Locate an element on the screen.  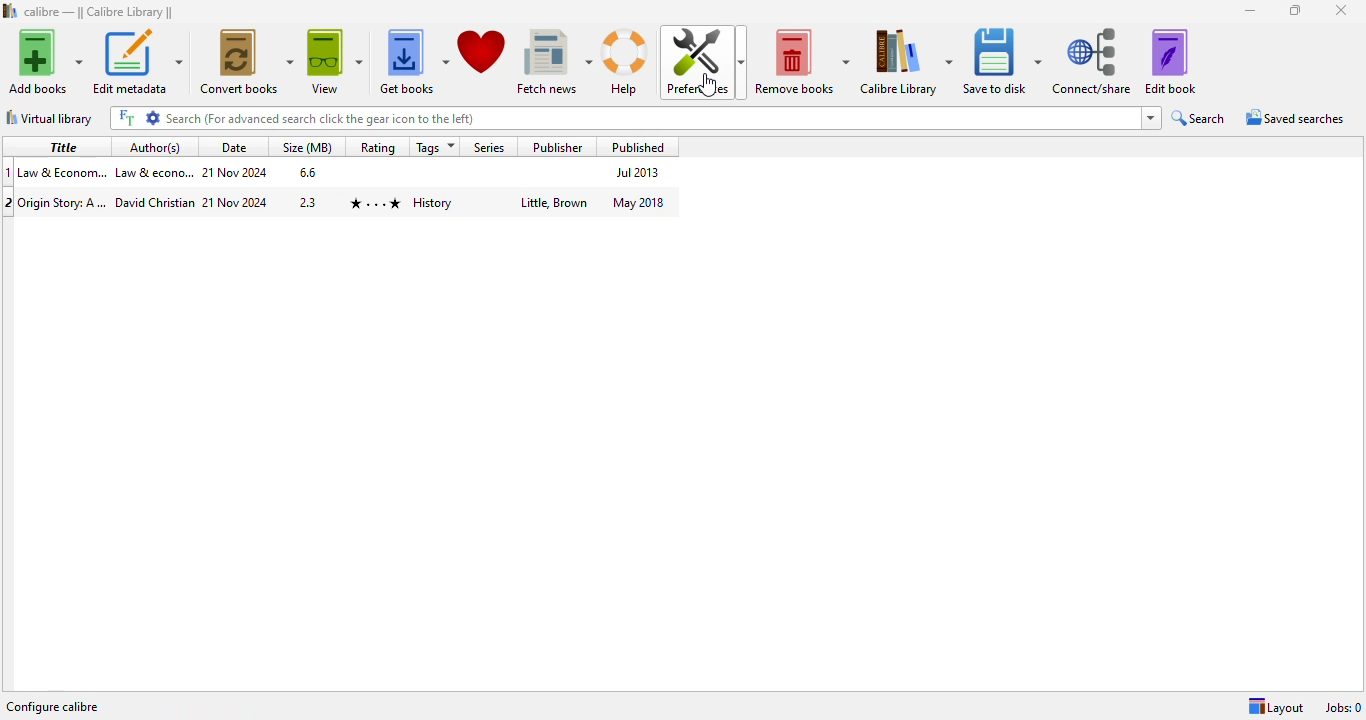
series is located at coordinates (487, 147).